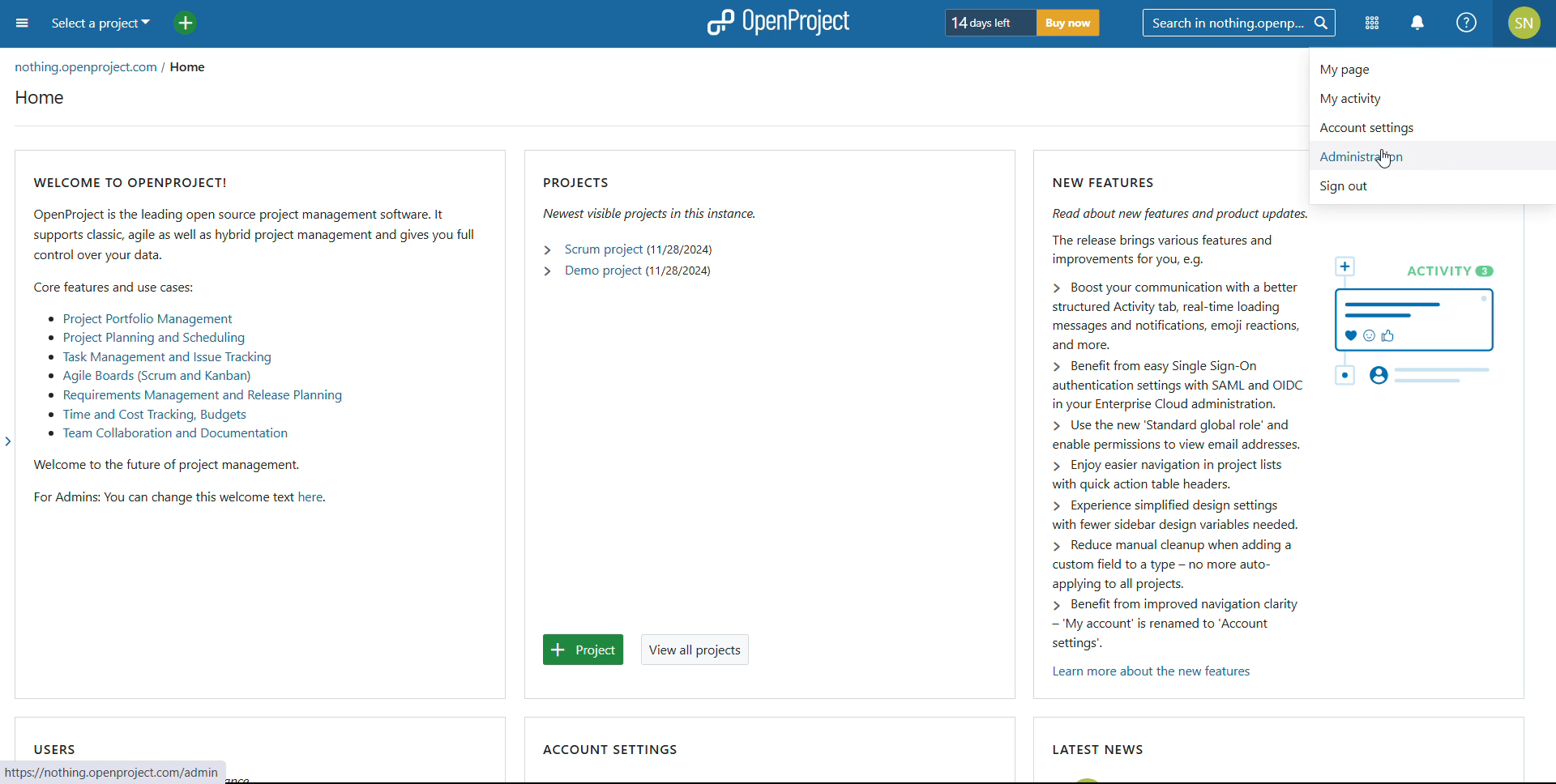 Image resolution: width=1556 pixels, height=784 pixels. I want to click on days left of trial, so click(986, 22).